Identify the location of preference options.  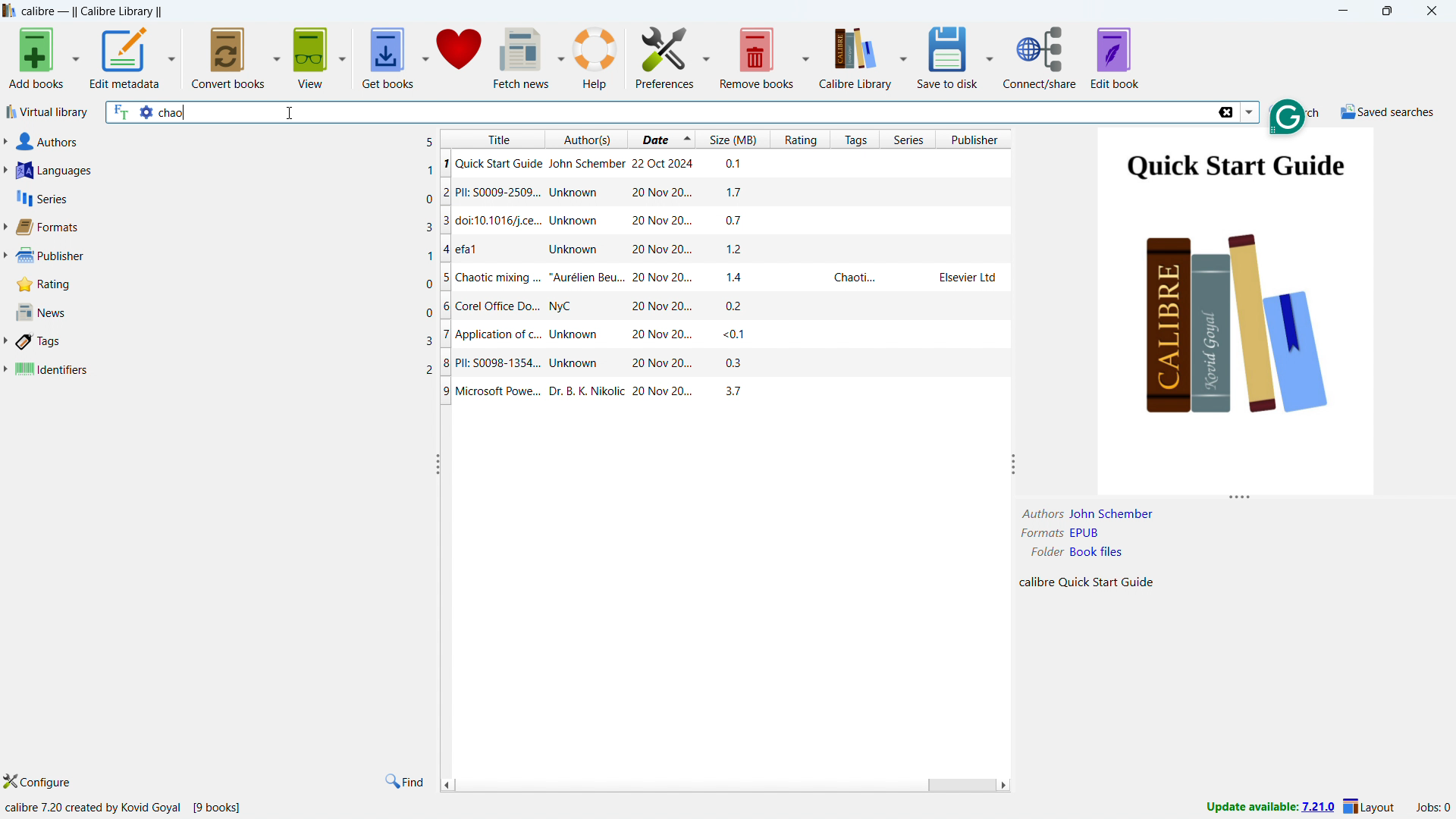
(706, 56).